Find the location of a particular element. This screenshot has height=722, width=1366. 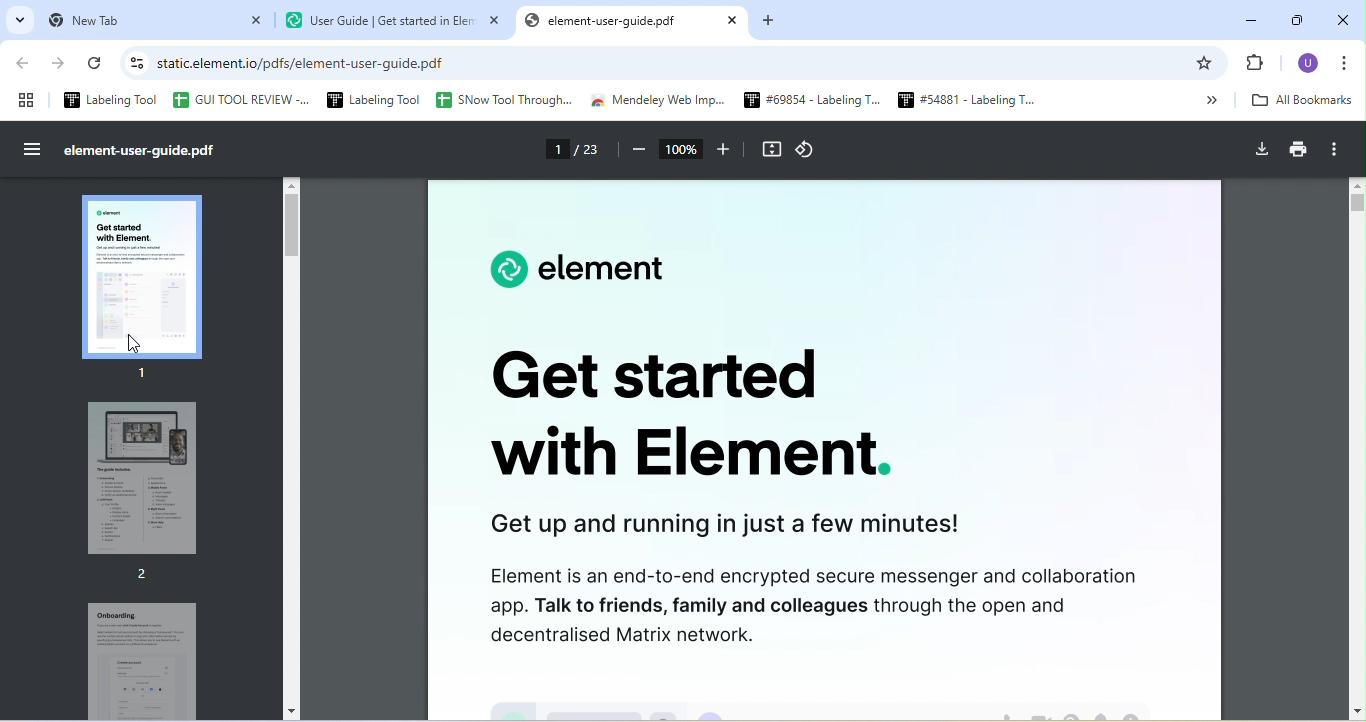

user guide | Get Started in Ele is located at coordinates (394, 23).